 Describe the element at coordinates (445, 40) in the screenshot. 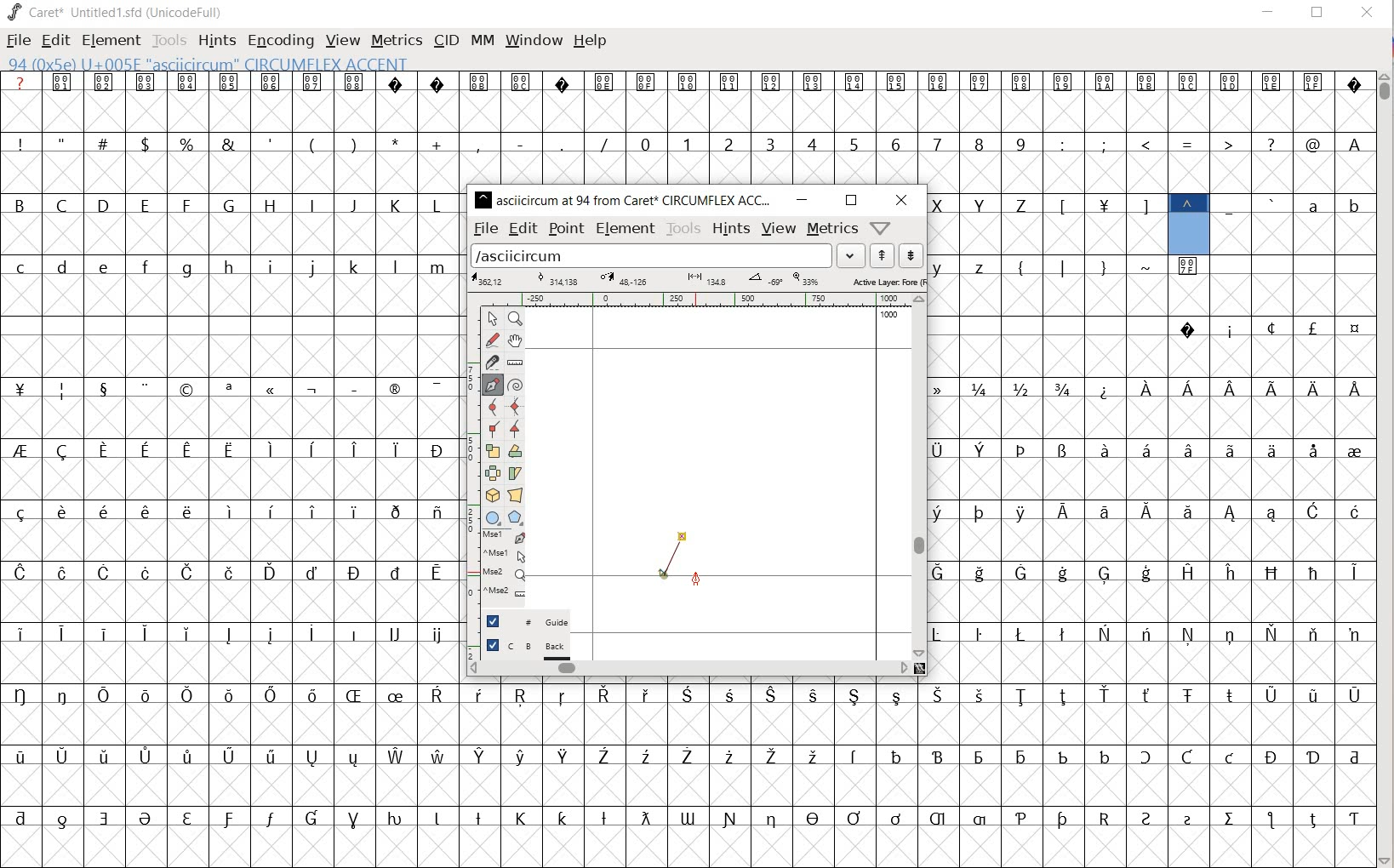

I see `CID` at that location.